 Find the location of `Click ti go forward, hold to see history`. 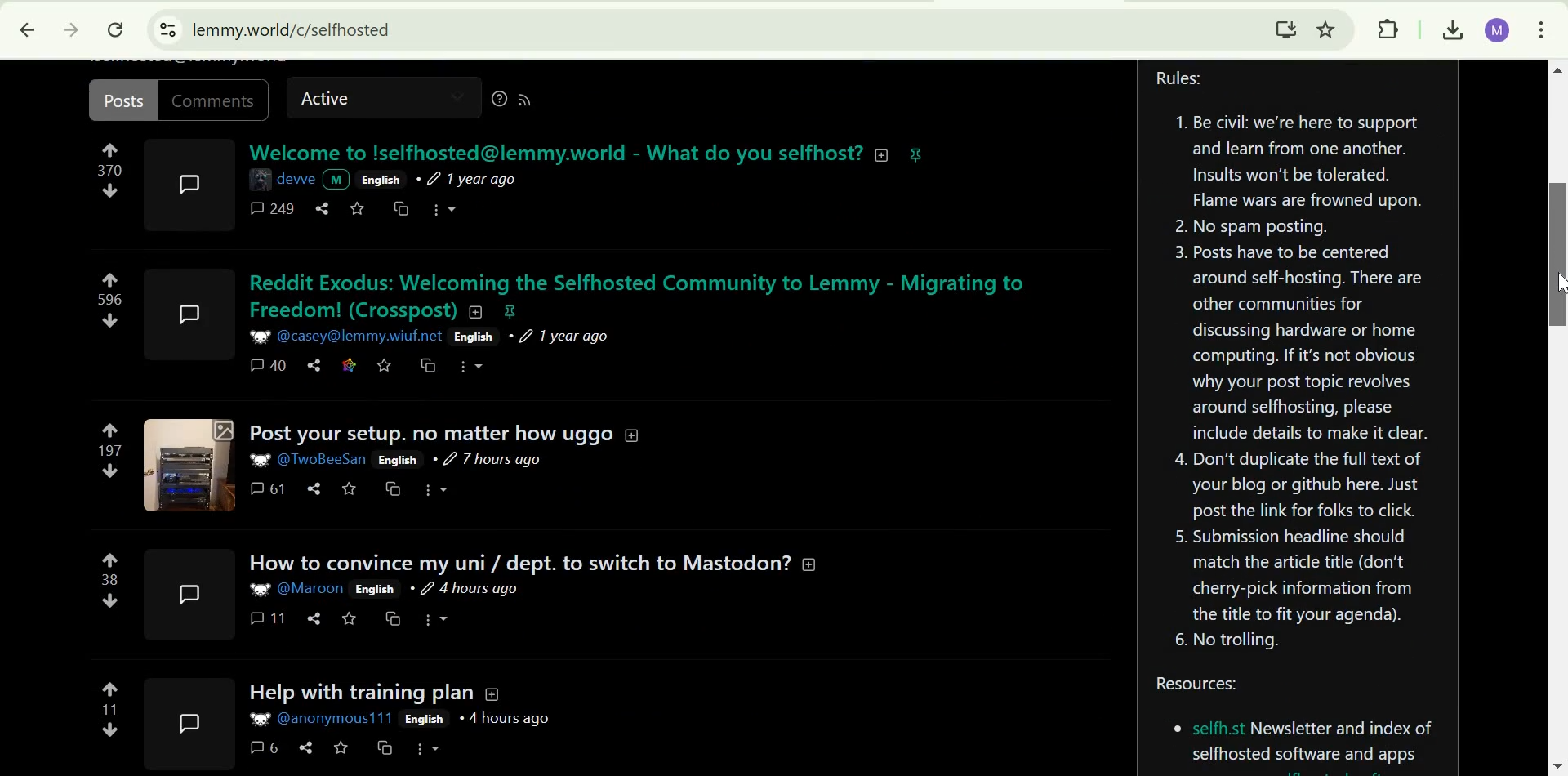

Click ti go forward, hold to see history is located at coordinates (71, 29).